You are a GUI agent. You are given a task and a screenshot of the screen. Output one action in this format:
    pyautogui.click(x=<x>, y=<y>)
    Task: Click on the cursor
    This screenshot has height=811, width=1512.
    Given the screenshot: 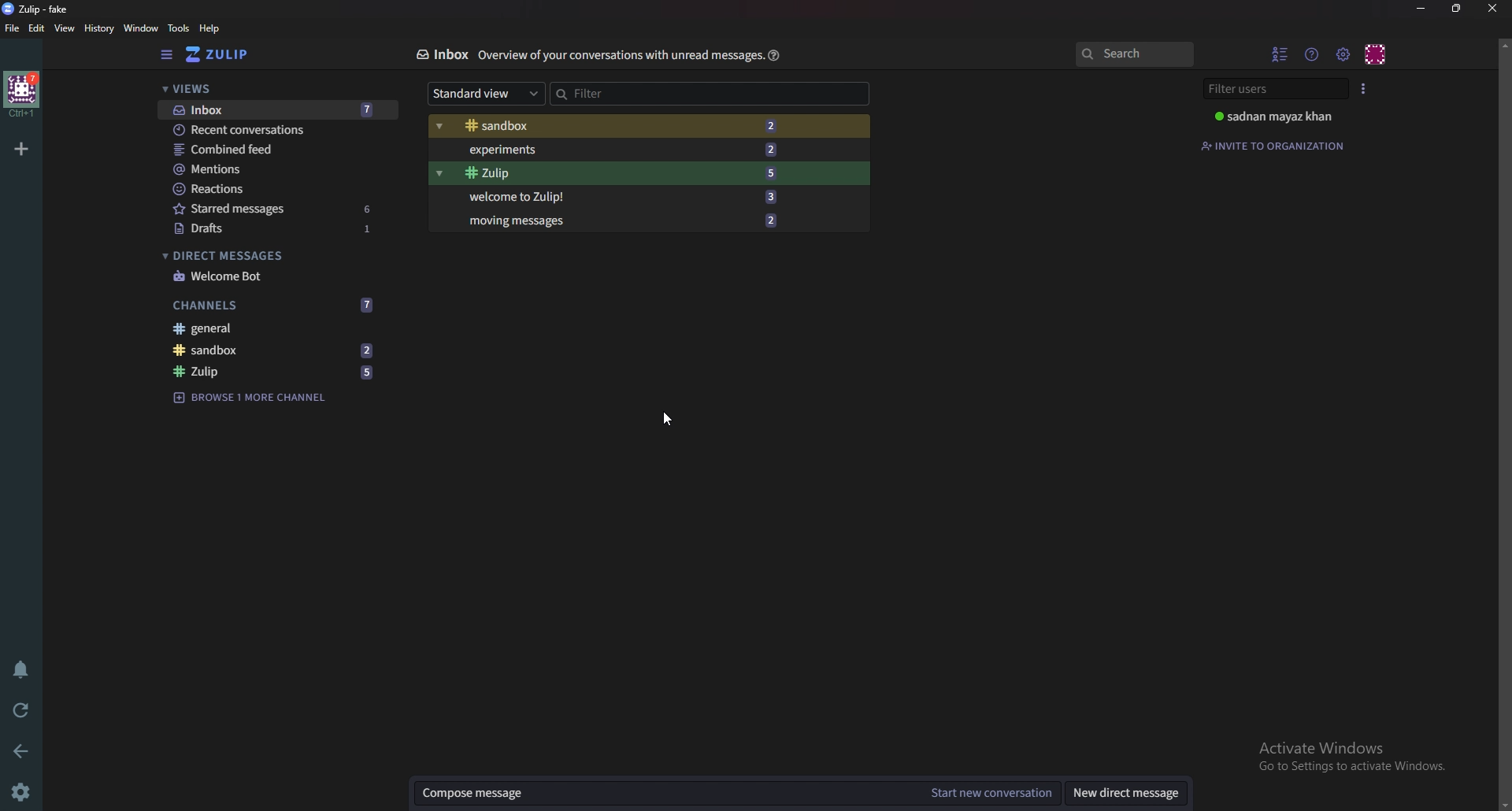 What is the action you would take?
    pyautogui.click(x=669, y=419)
    